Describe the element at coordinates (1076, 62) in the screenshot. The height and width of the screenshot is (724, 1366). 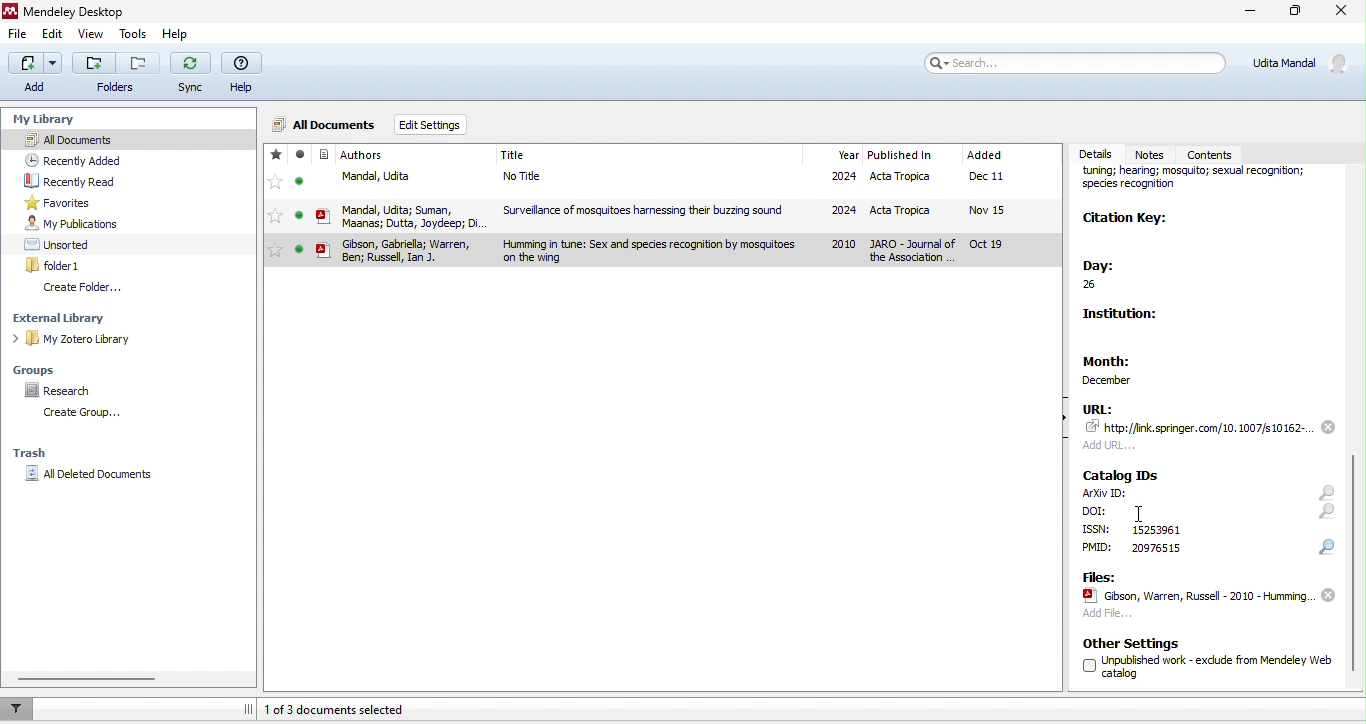
I see `search bar` at that location.